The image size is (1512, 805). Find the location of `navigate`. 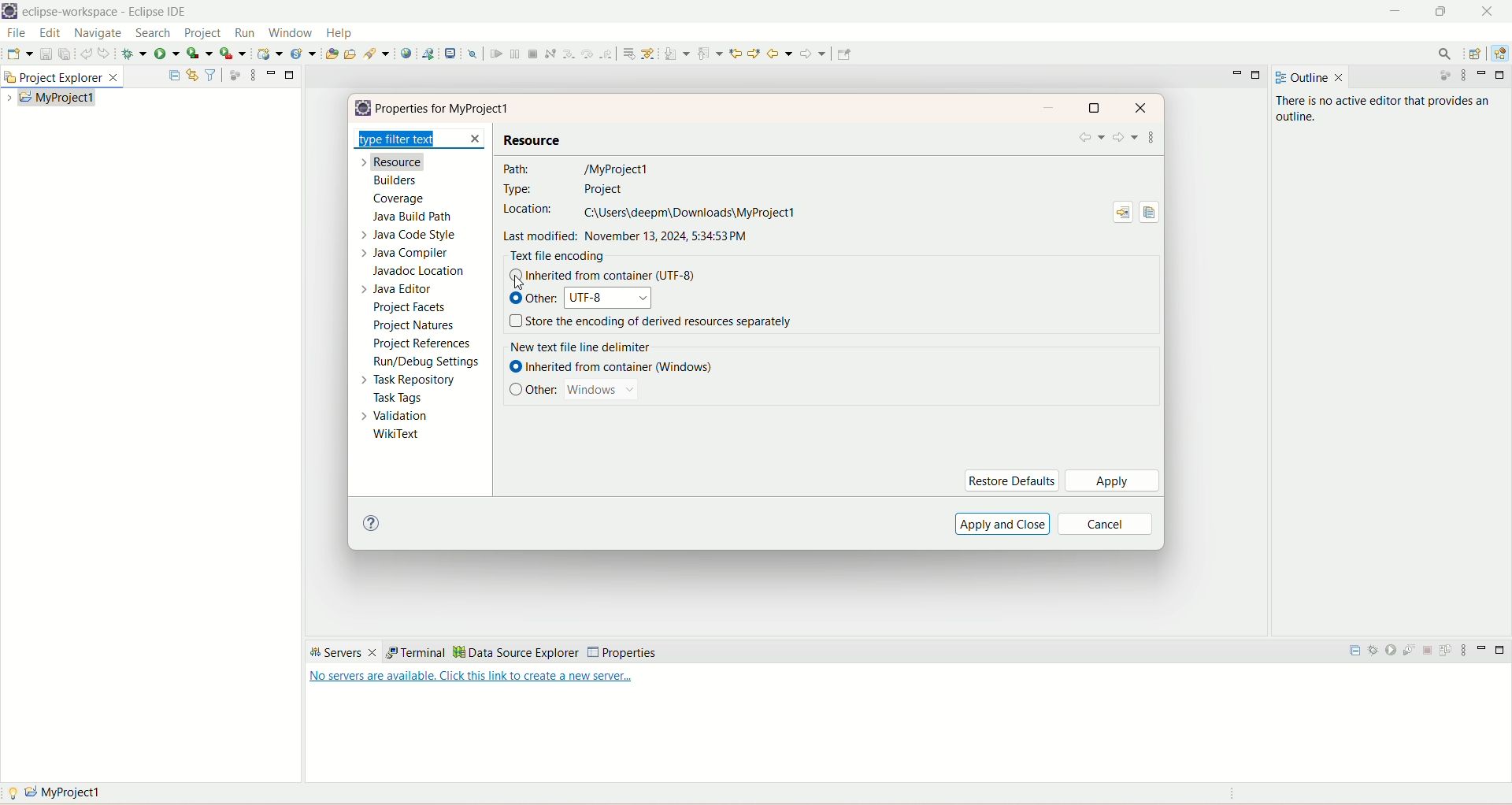

navigate is located at coordinates (98, 34).